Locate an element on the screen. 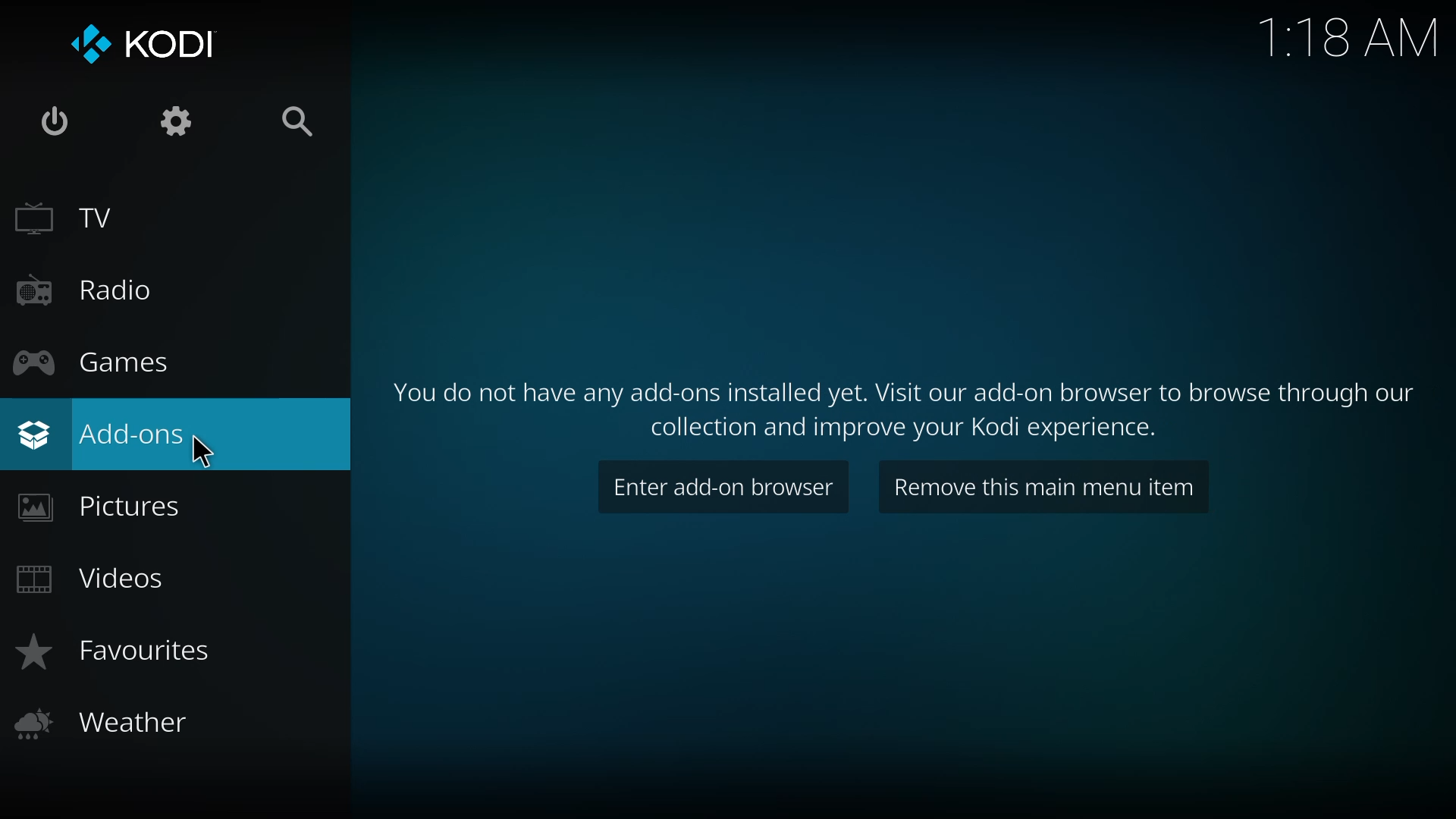 The image size is (1456, 819). enter add on browser is located at coordinates (729, 488).